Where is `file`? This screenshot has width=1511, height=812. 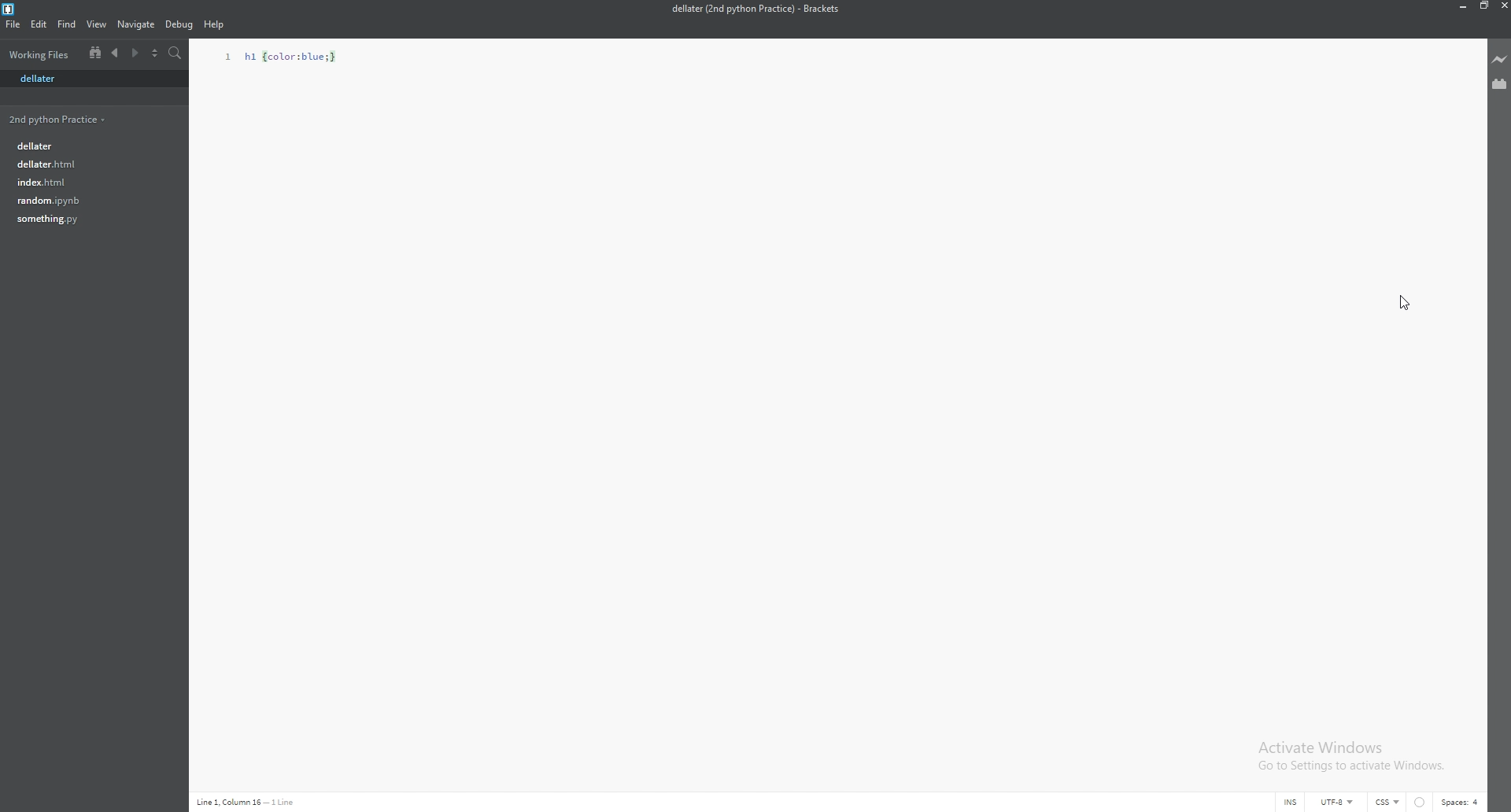 file is located at coordinates (87, 219).